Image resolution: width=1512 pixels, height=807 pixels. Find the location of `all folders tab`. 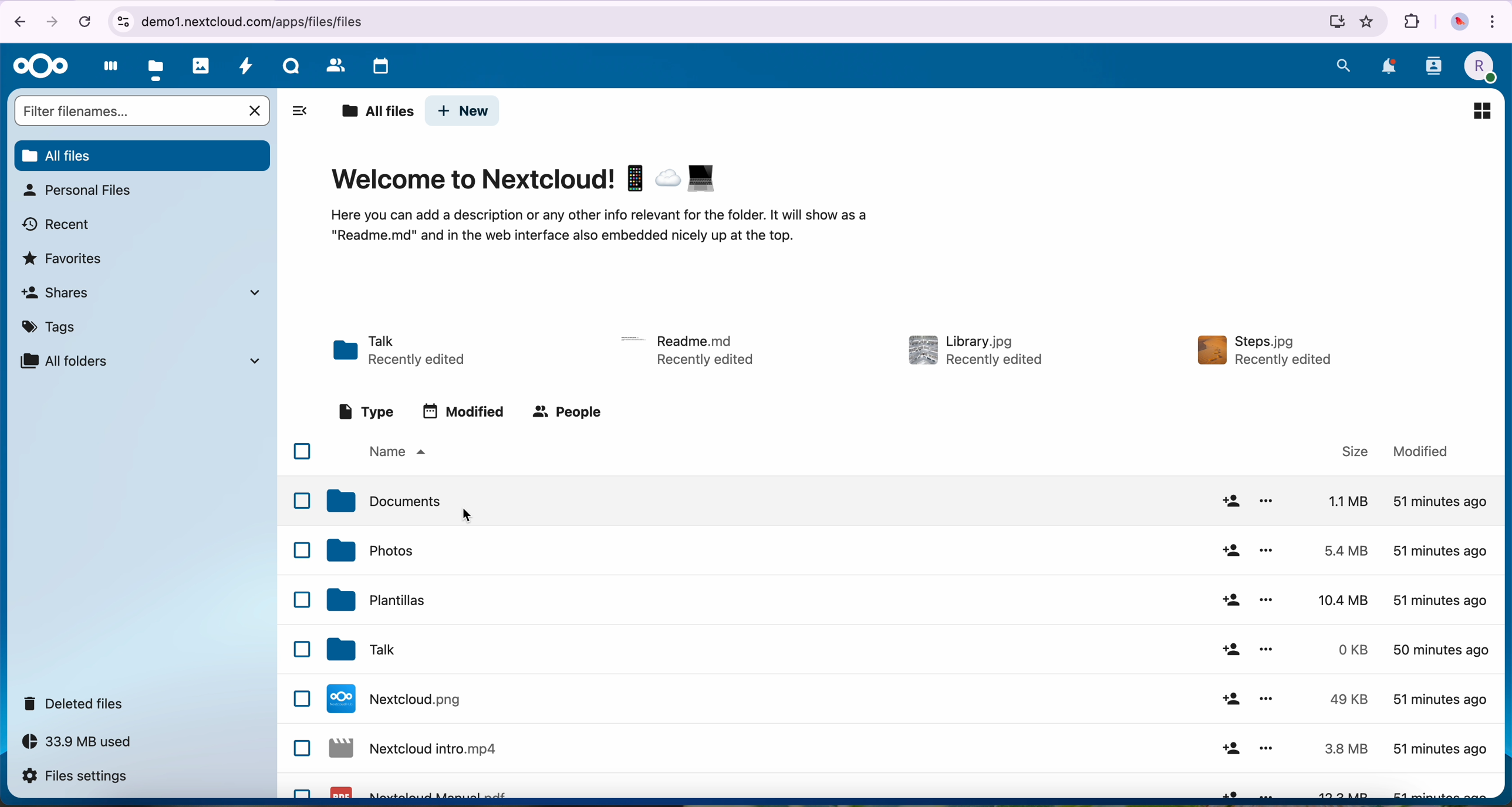

all folders tab is located at coordinates (139, 360).